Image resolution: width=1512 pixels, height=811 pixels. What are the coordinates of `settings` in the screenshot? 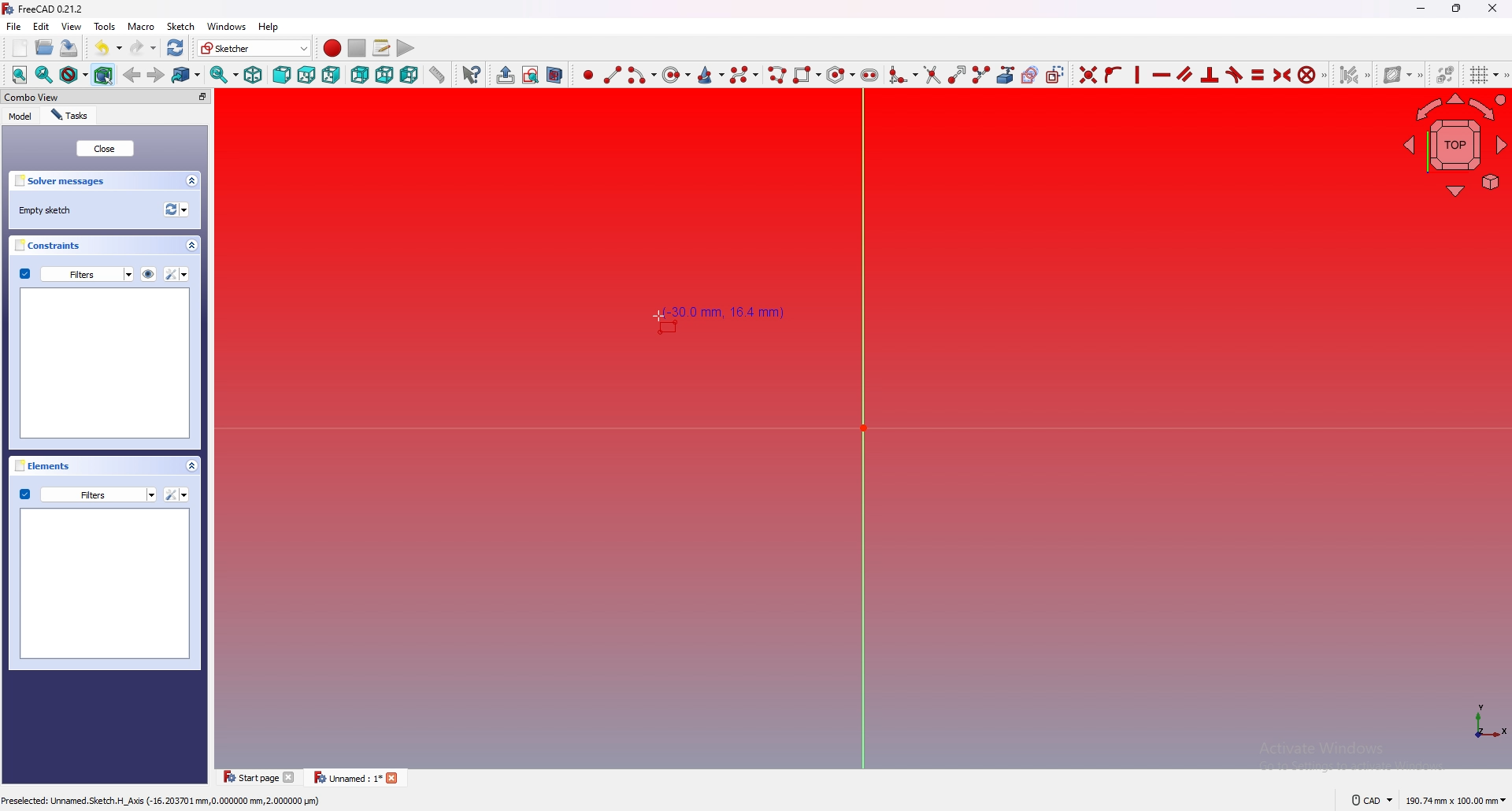 It's located at (176, 274).